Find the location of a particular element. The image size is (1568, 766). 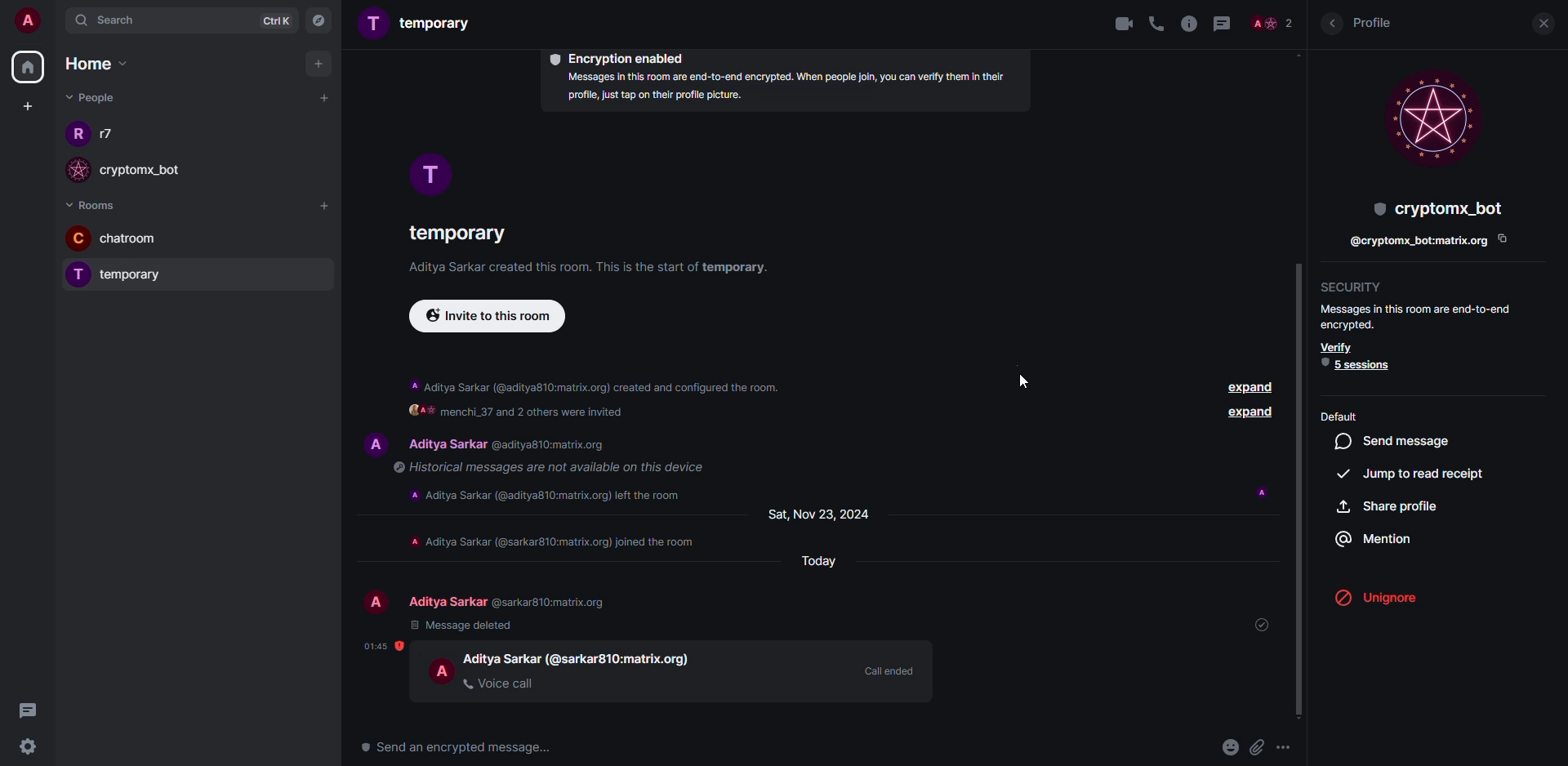

5 session is located at coordinates (1360, 364).